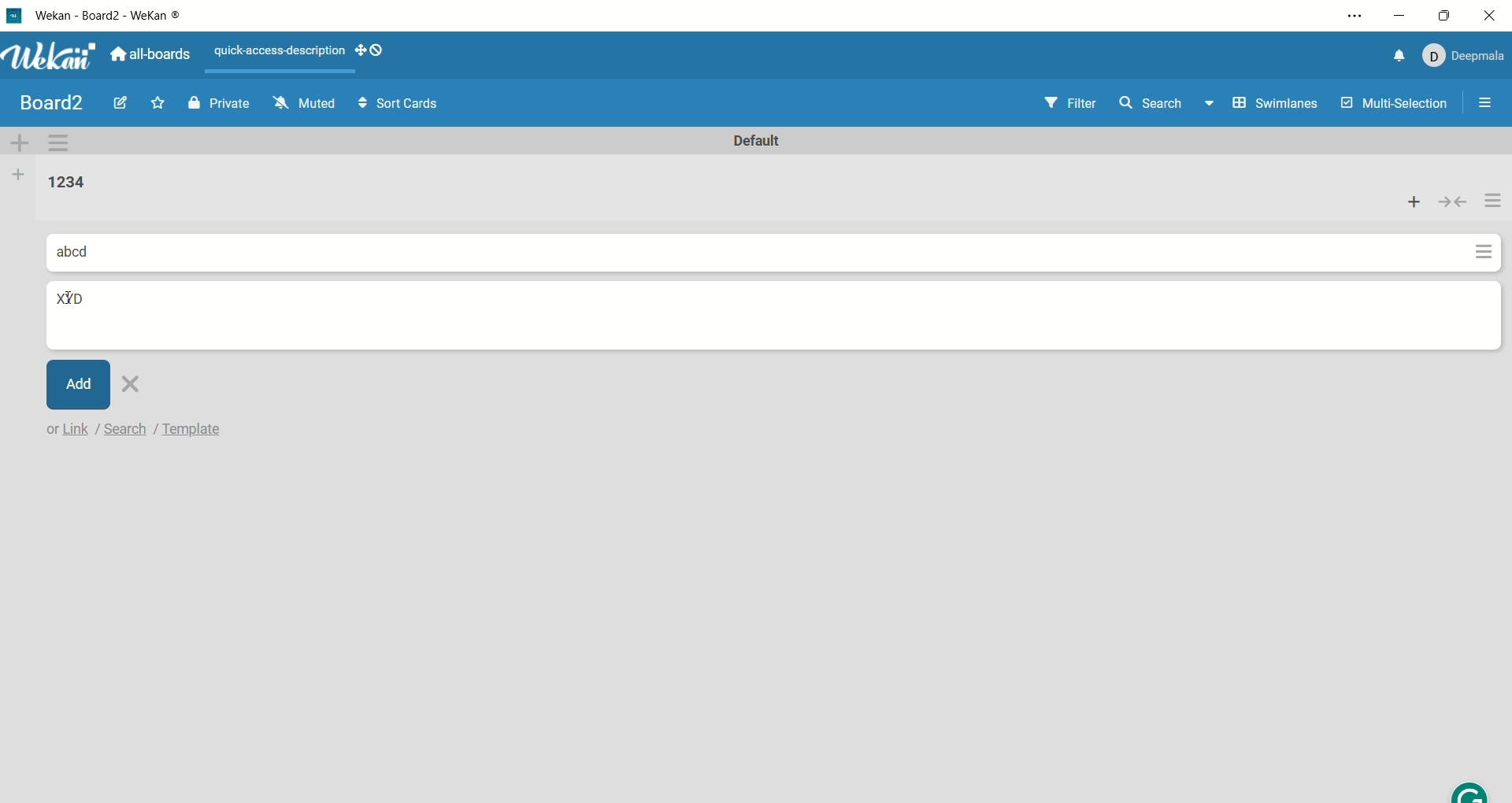  What do you see at coordinates (755, 139) in the screenshot?
I see `default` at bounding box center [755, 139].